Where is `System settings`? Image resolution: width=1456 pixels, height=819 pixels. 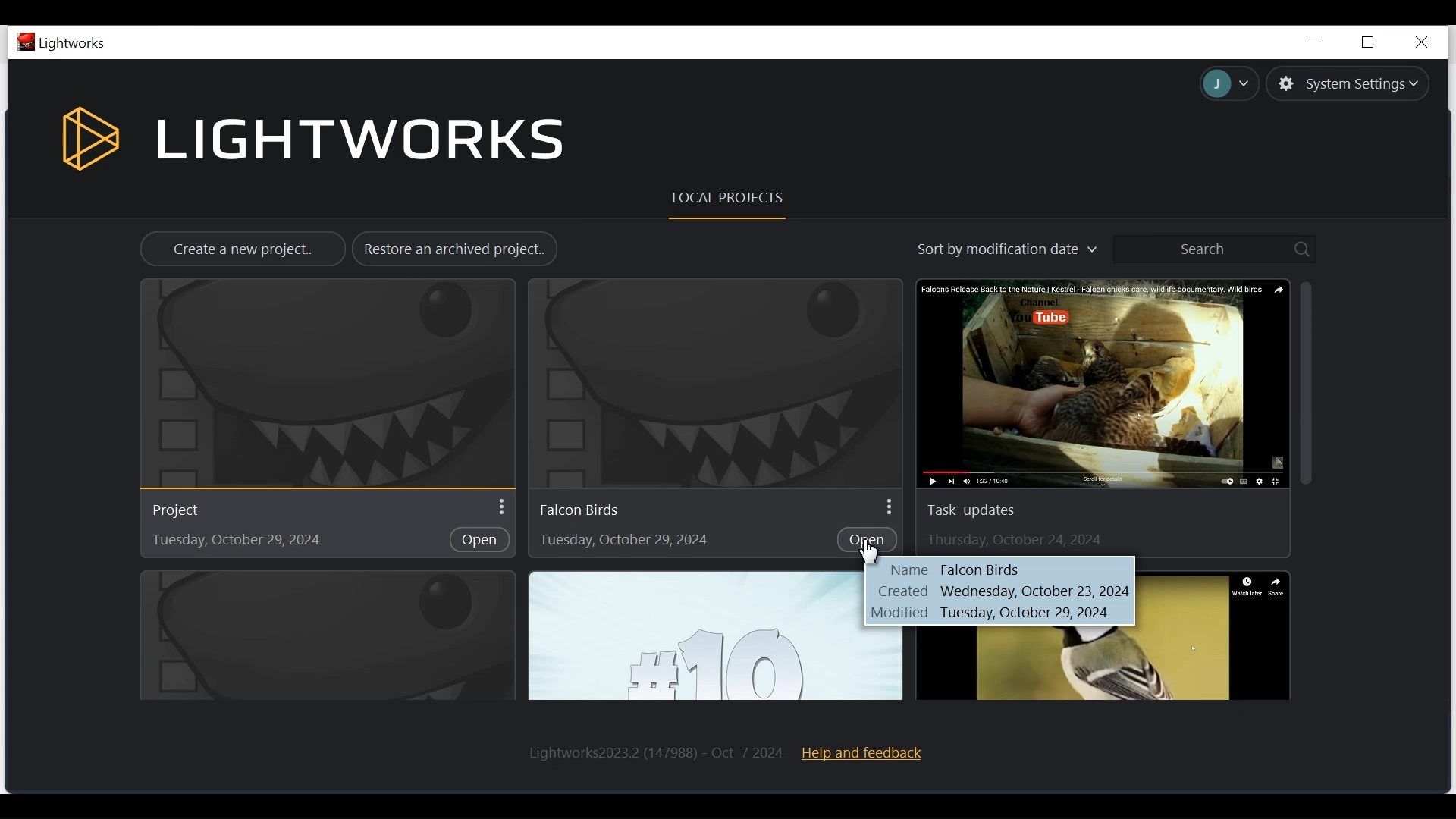 System settings is located at coordinates (1348, 83).